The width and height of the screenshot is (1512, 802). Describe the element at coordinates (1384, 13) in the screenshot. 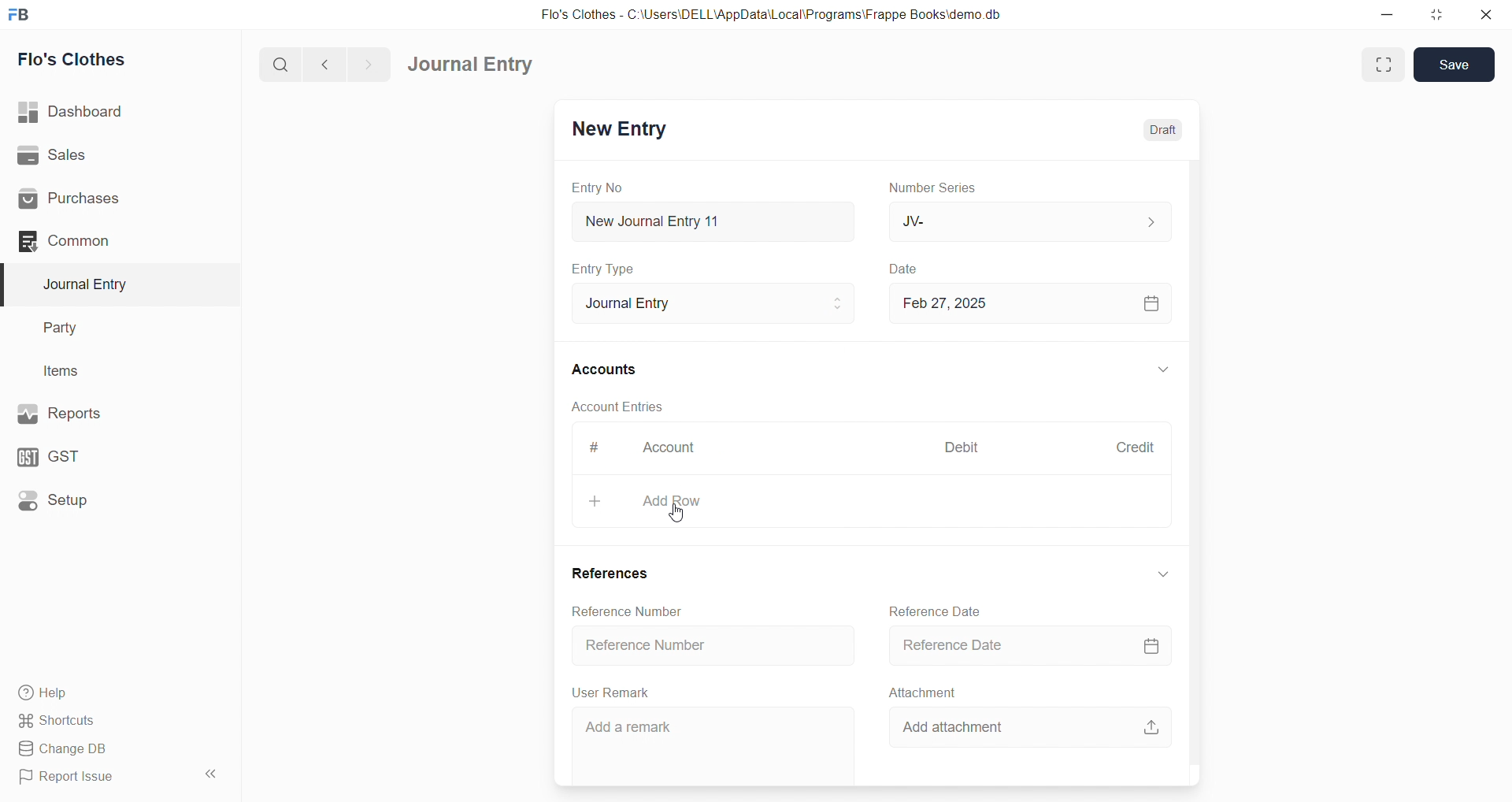

I see `minimize` at that location.